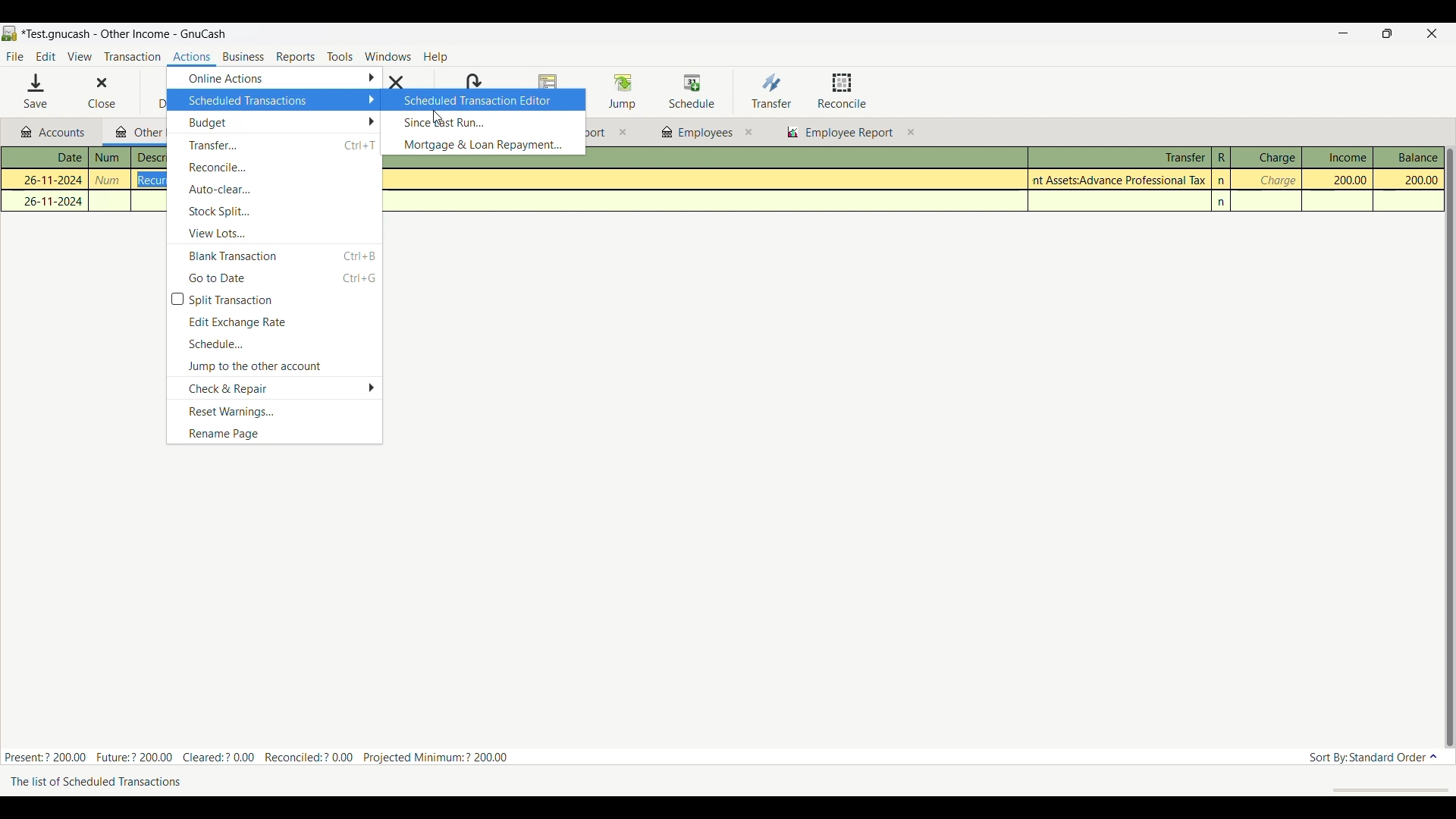  I want to click on Jump, so click(622, 91).